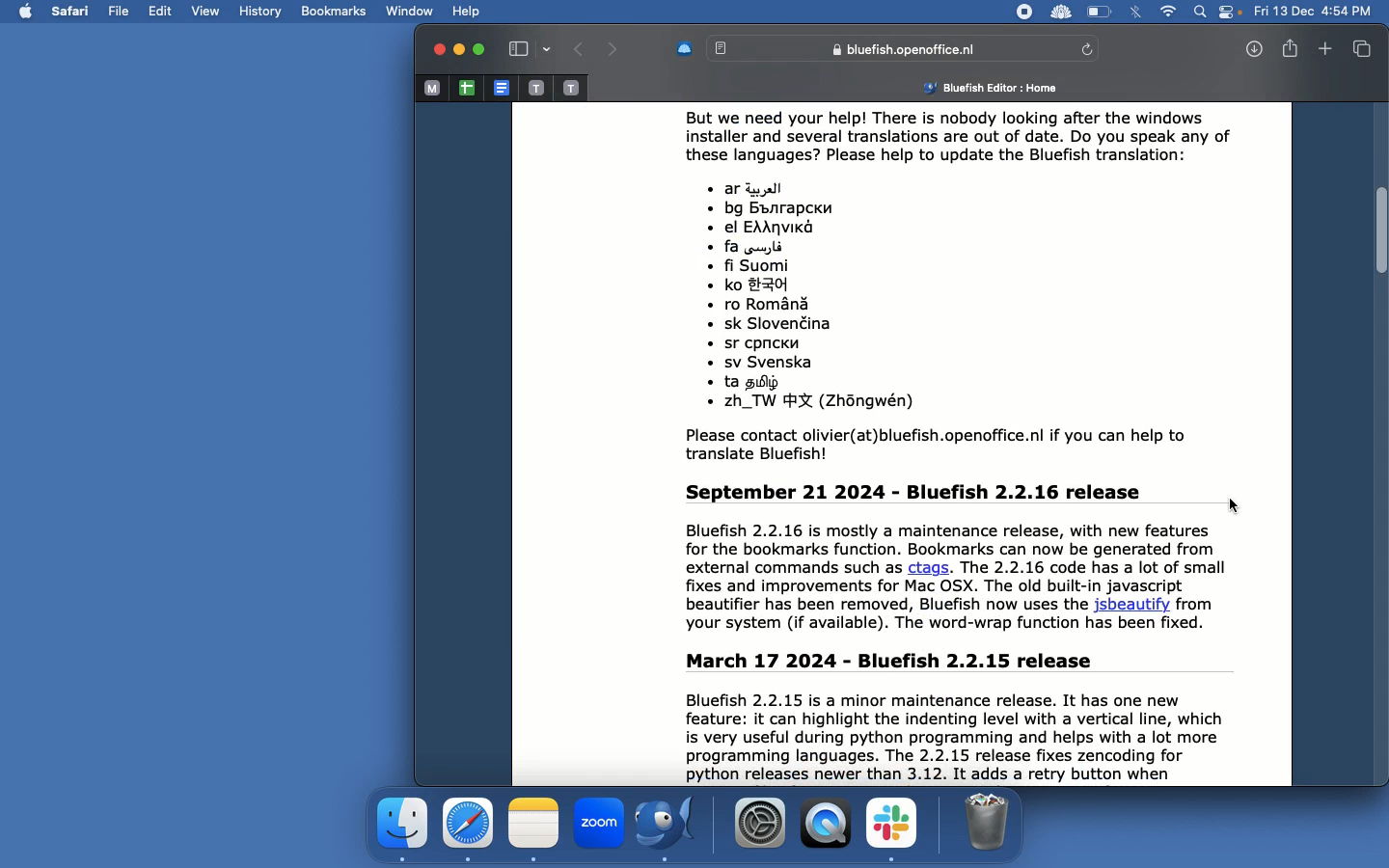 The width and height of the screenshot is (1389, 868). What do you see at coordinates (466, 88) in the screenshot?
I see `Google sheet tab` at bounding box center [466, 88].